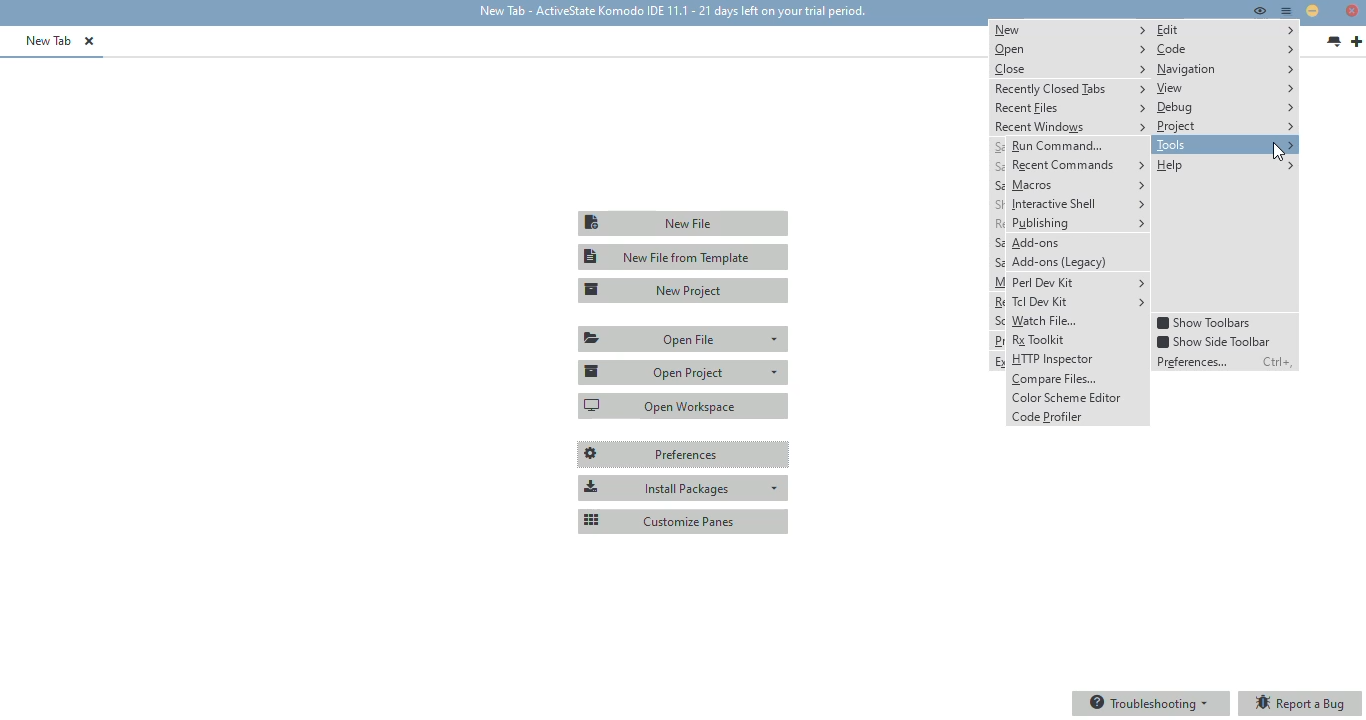 The width and height of the screenshot is (1366, 720). What do you see at coordinates (683, 520) in the screenshot?
I see `customize panes` at bounding box center [683, 520].